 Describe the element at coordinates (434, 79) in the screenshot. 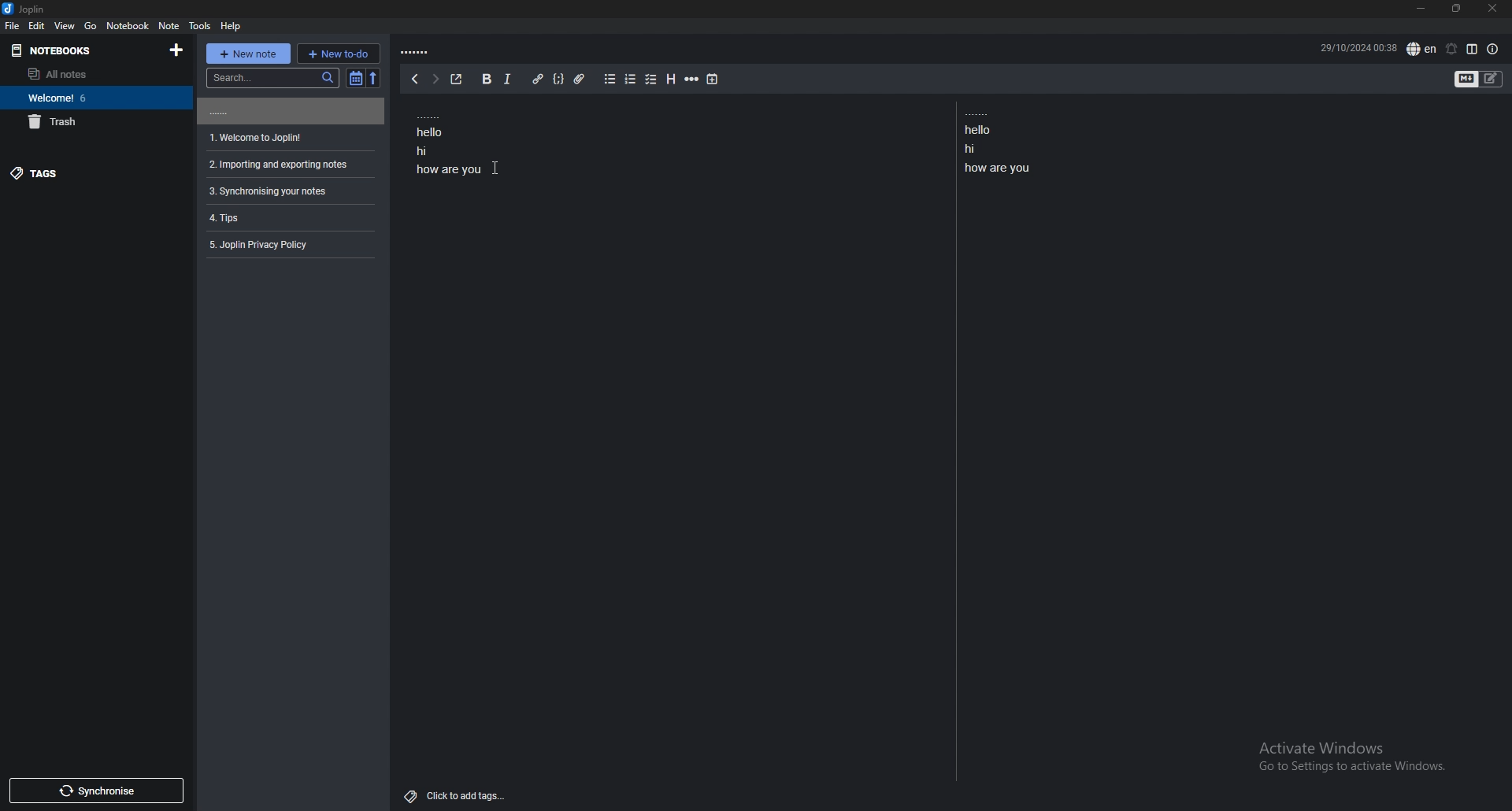

I see `forward` at that location.